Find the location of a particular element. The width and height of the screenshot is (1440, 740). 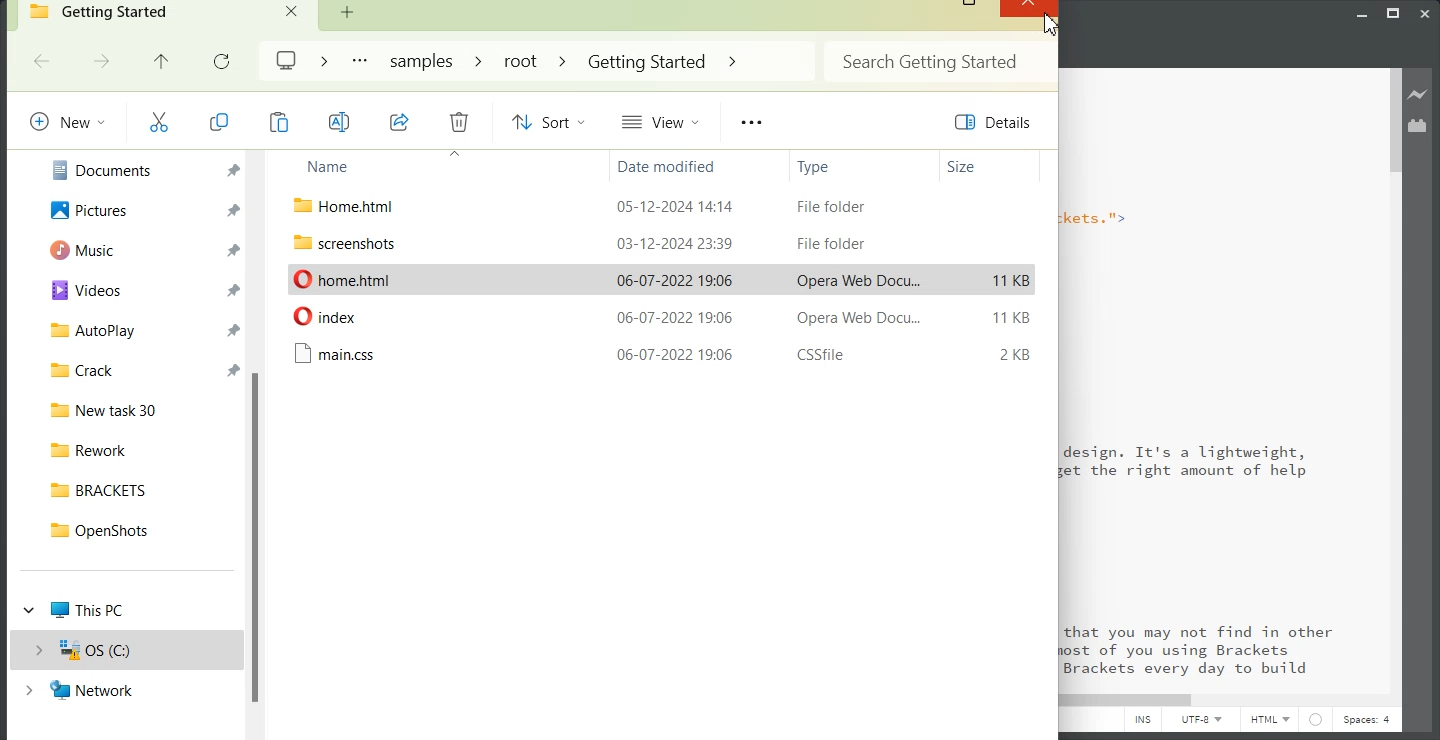

Auto play is located at coordinates (138, 332).